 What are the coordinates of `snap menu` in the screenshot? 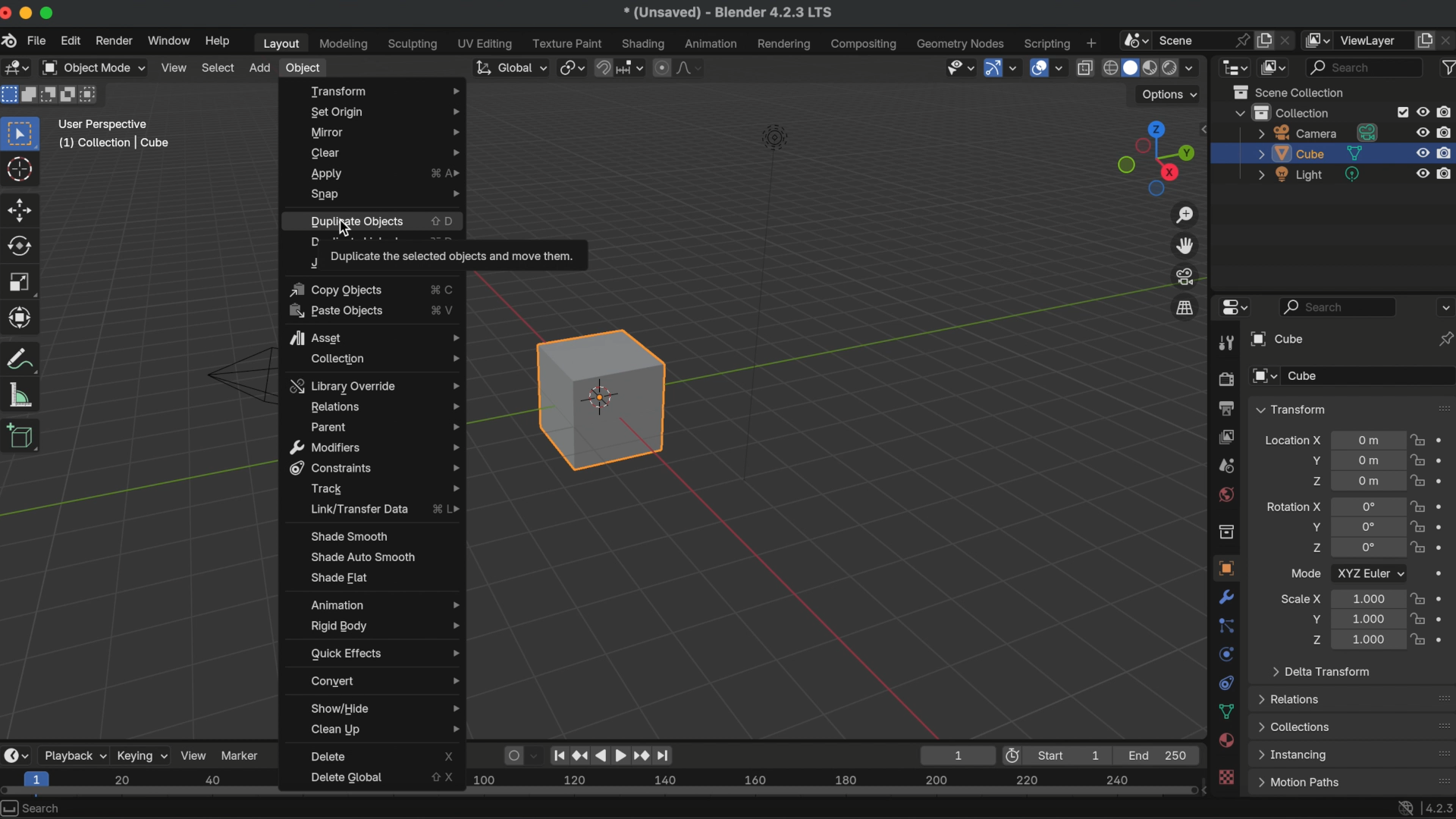 It's located at (383, 196).